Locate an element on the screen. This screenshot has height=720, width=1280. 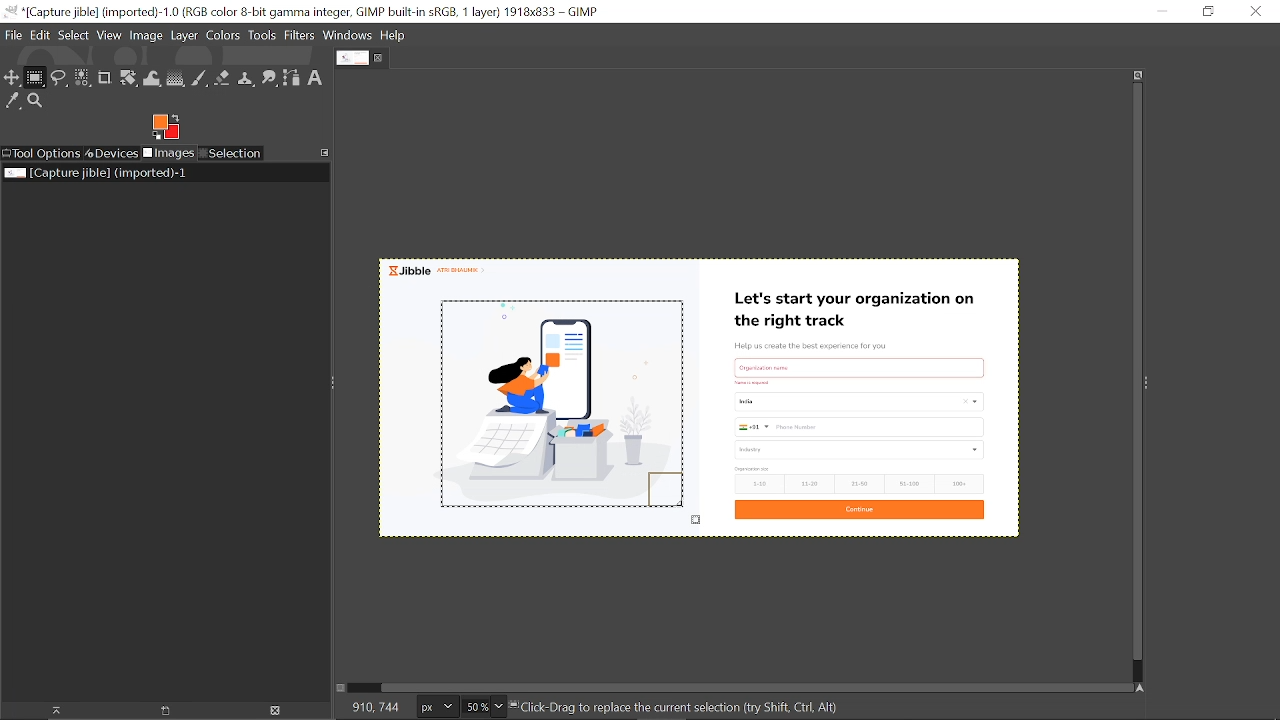
Windows is located at coordinates (347, 36).